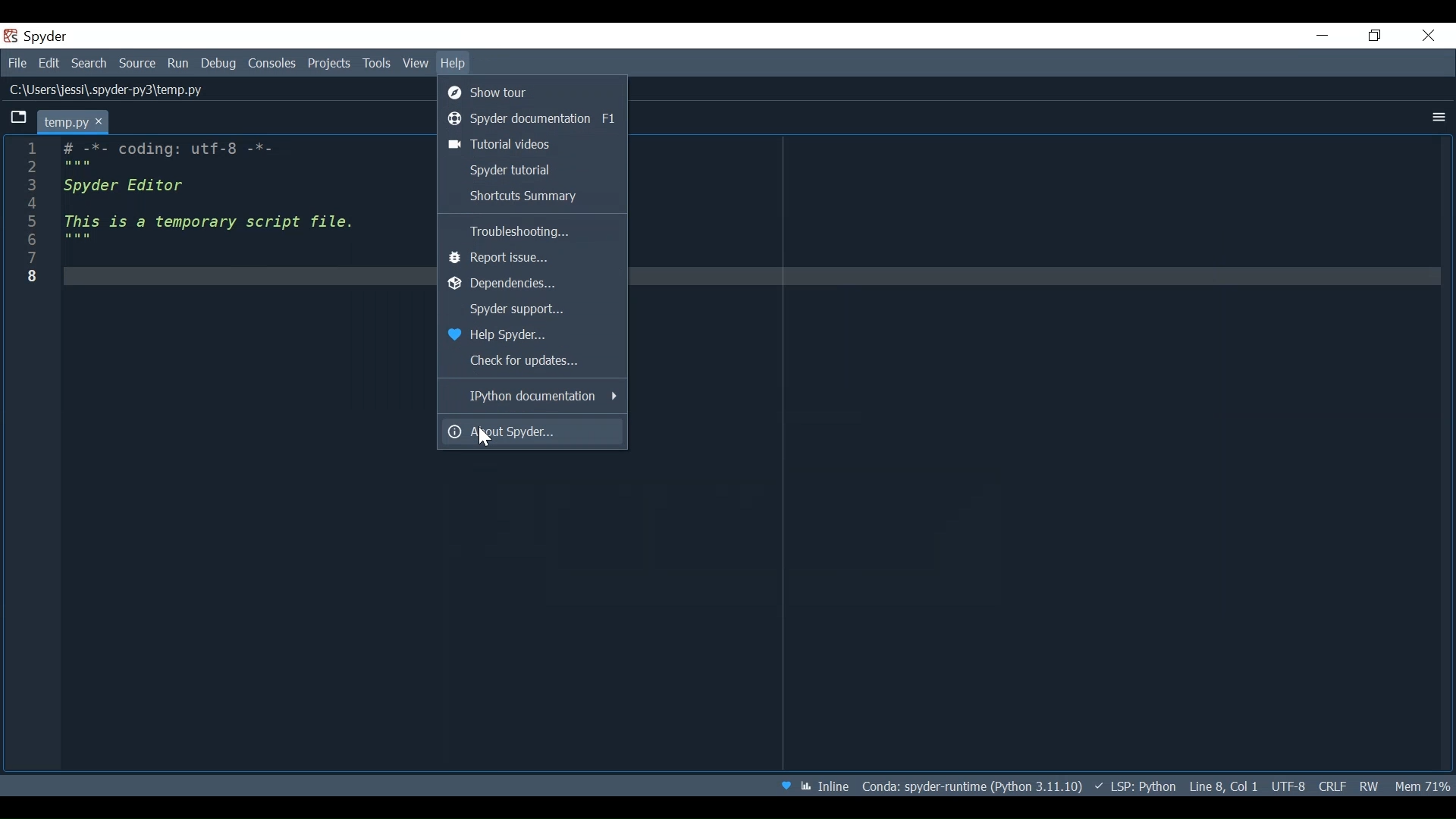 Image resolution: width=1456 pixels, height=819 pixels. I want to click on Run, so click(179, 65).